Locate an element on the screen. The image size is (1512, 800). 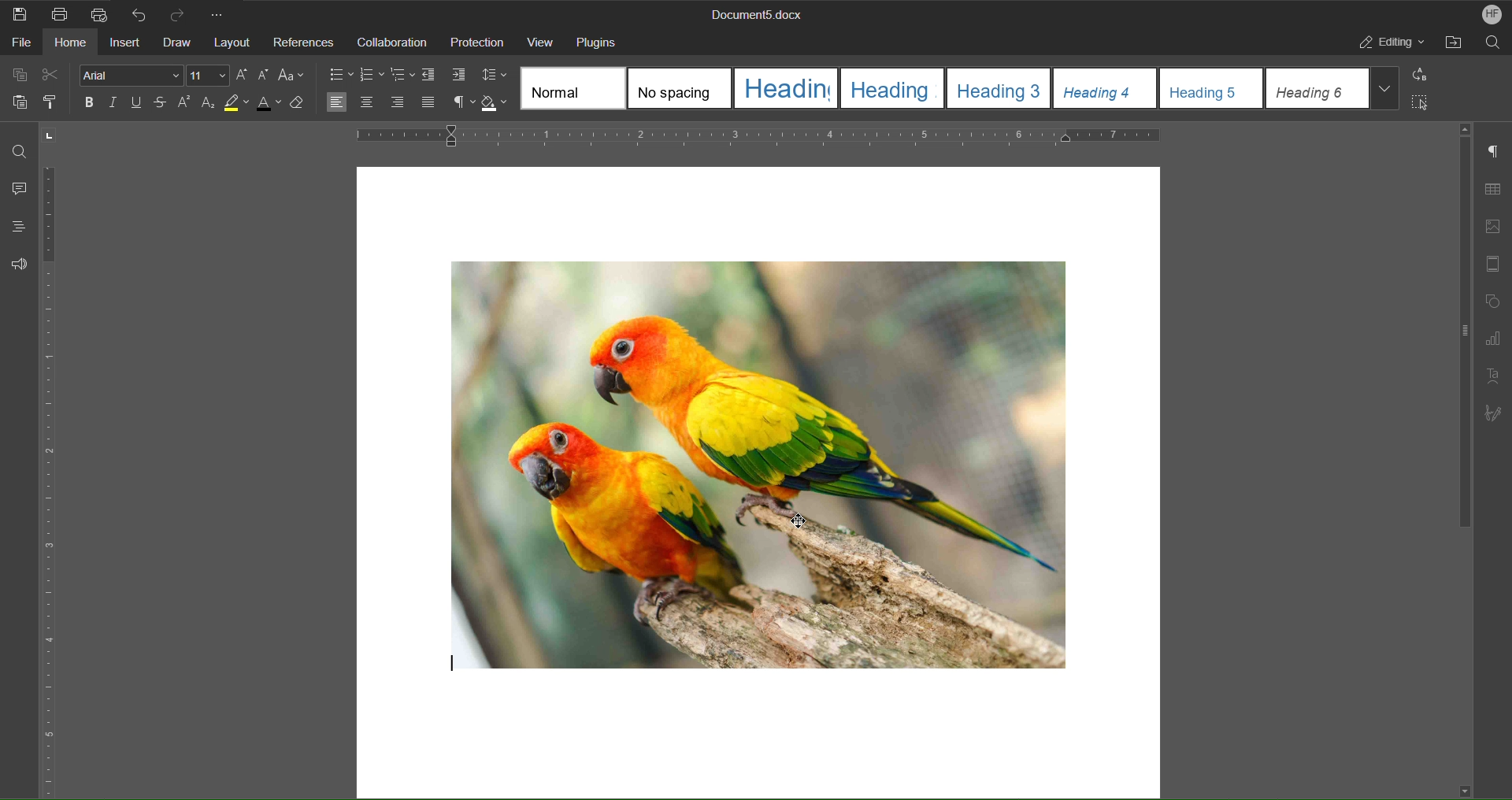
Text Style is located at coordinates (962, 88).